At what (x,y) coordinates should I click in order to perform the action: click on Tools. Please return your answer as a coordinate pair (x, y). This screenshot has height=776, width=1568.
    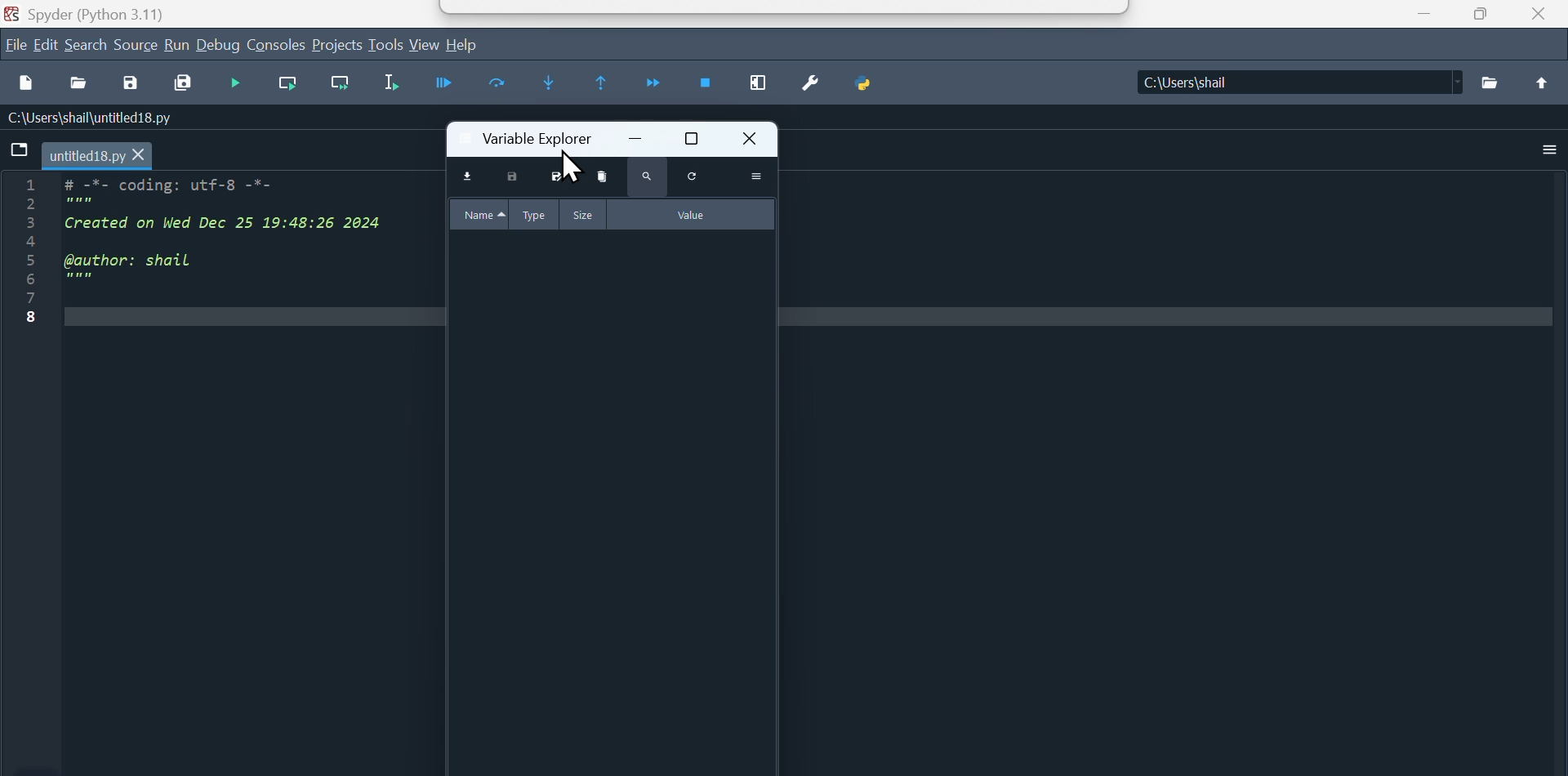
    Looking at the image, I should click on (385, 46).